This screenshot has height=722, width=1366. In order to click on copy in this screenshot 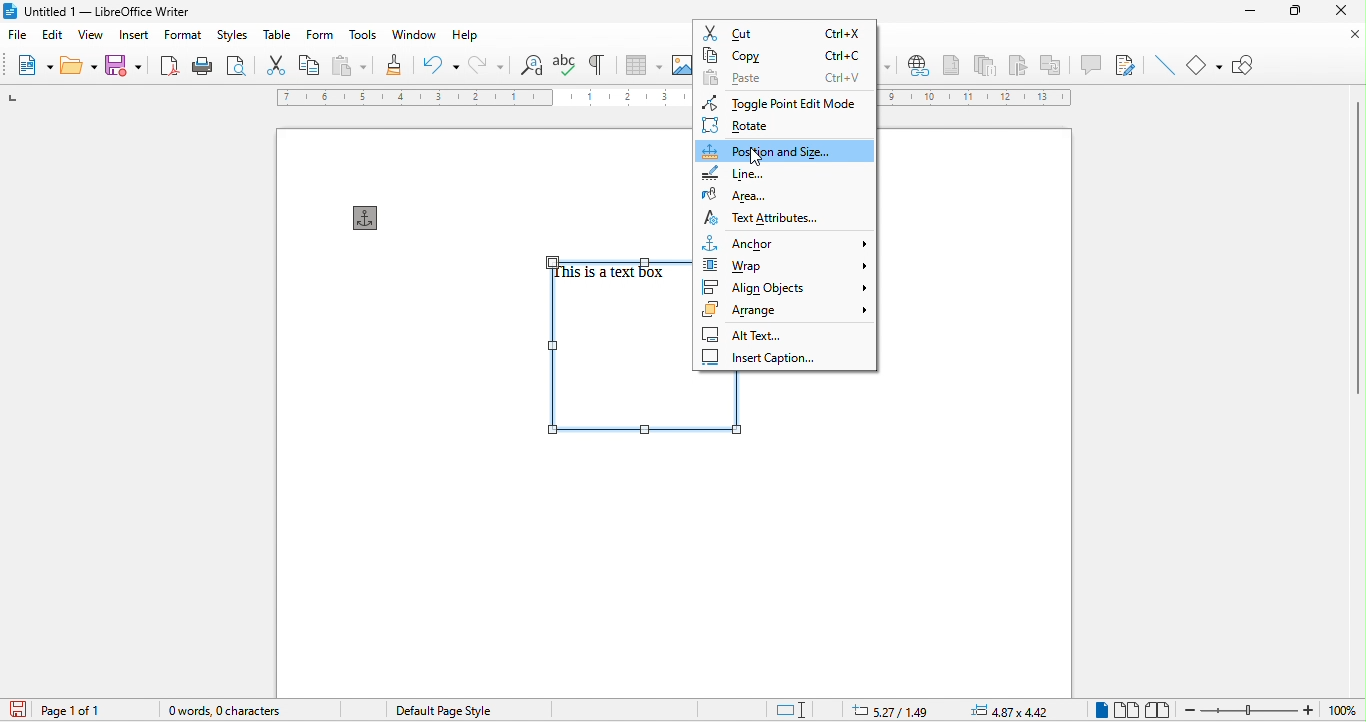, I will do `click(785, 55)`.